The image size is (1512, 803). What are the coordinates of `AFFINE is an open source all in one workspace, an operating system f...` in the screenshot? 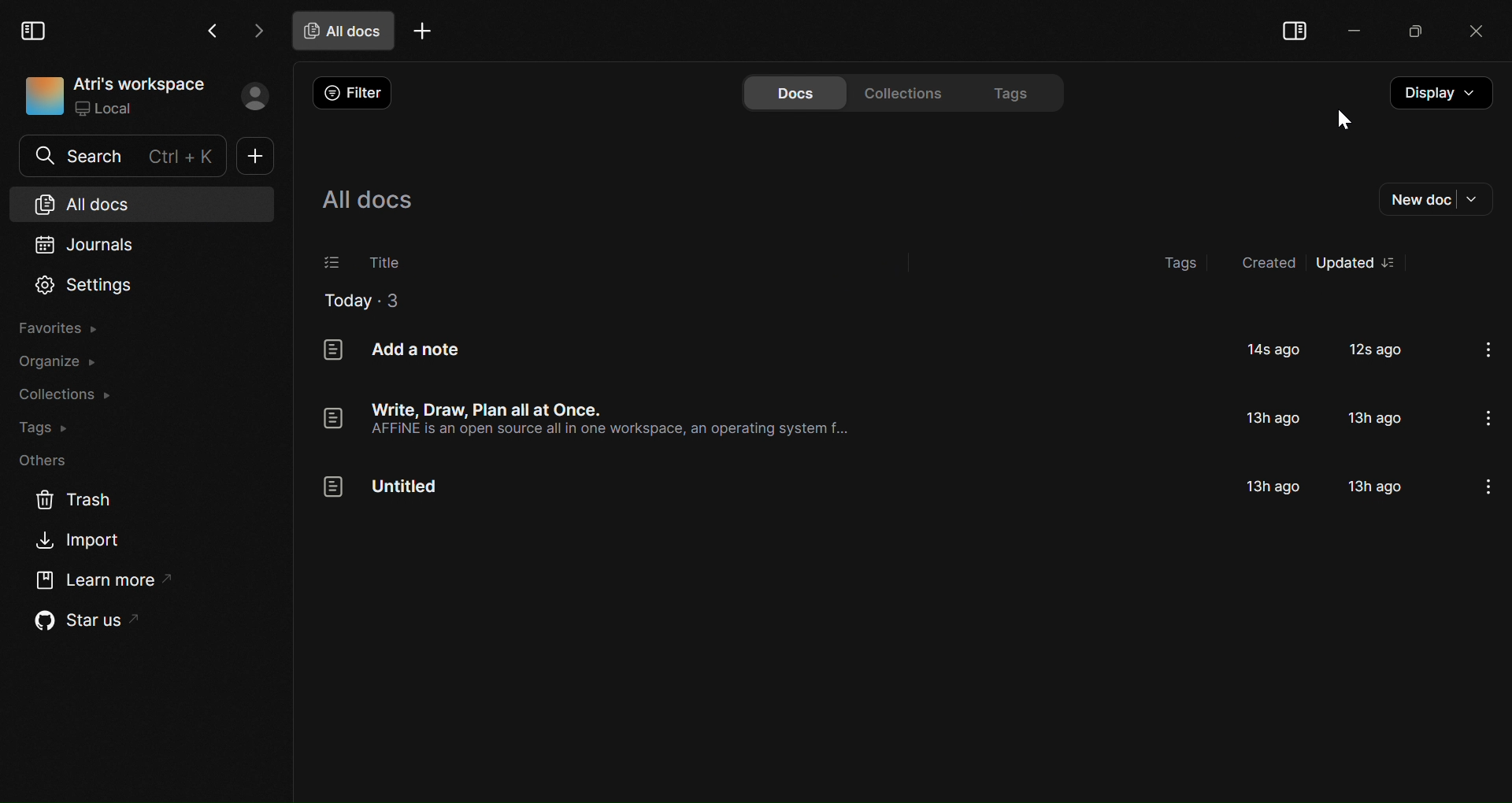 It's located at (609, 431).